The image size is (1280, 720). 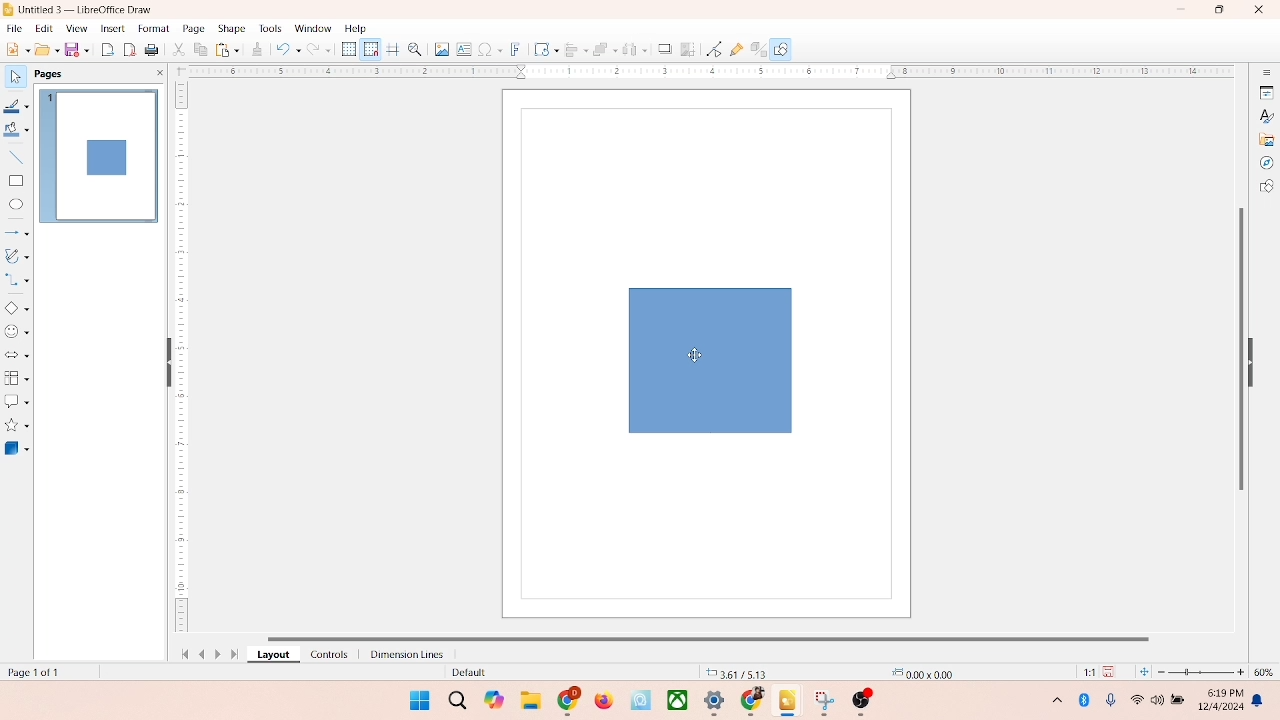 What do you see at coordinates (17, 232) in the screenshot?
I see `lines and arrows` at bounding box center [17, 232].